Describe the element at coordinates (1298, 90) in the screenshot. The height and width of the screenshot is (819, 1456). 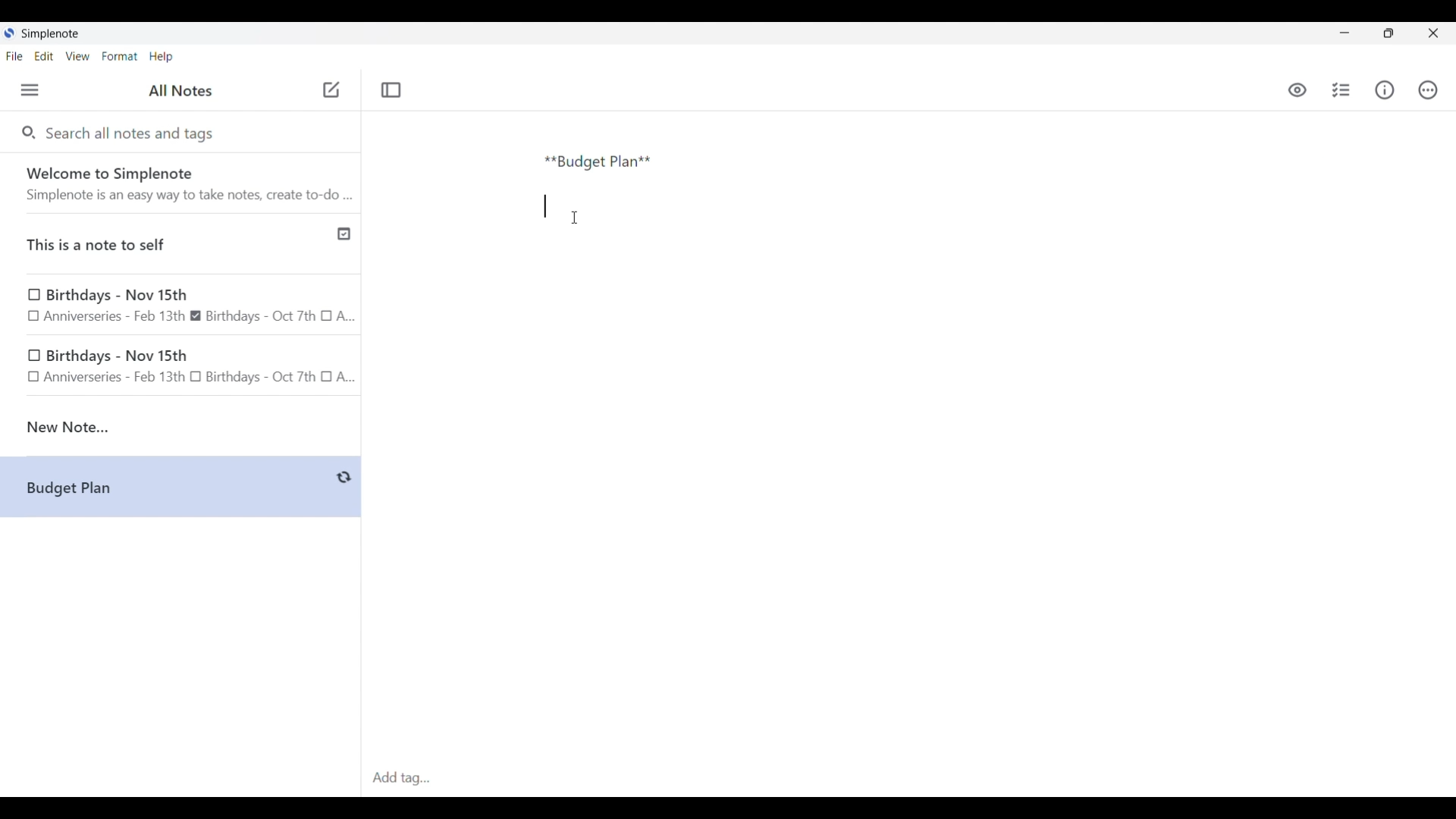
I see `Toggle to see markdown preview` at that location.